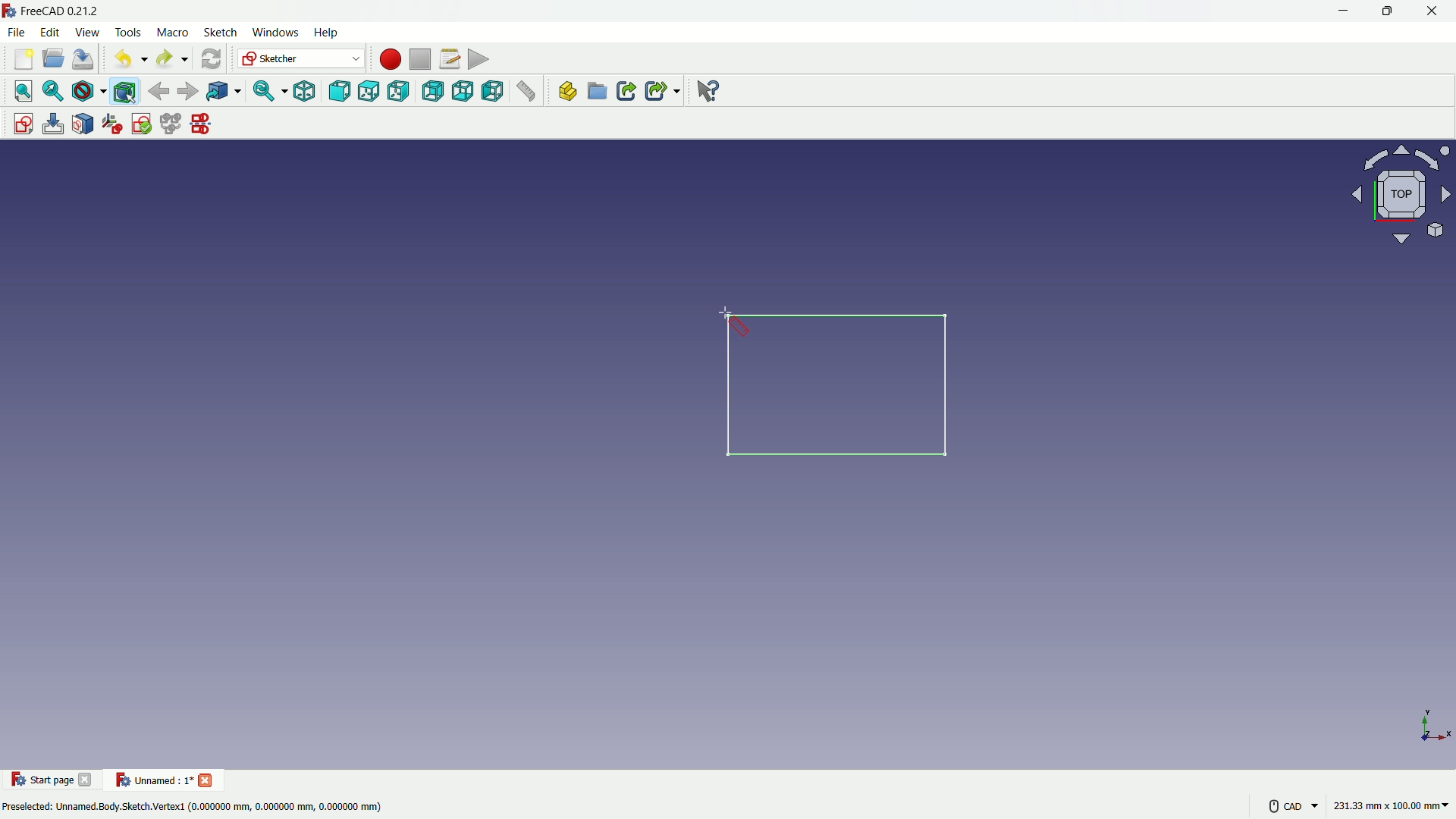  Describe the element at coordinates (1289, 805) in the screenshot. I see `more settings` at that location.